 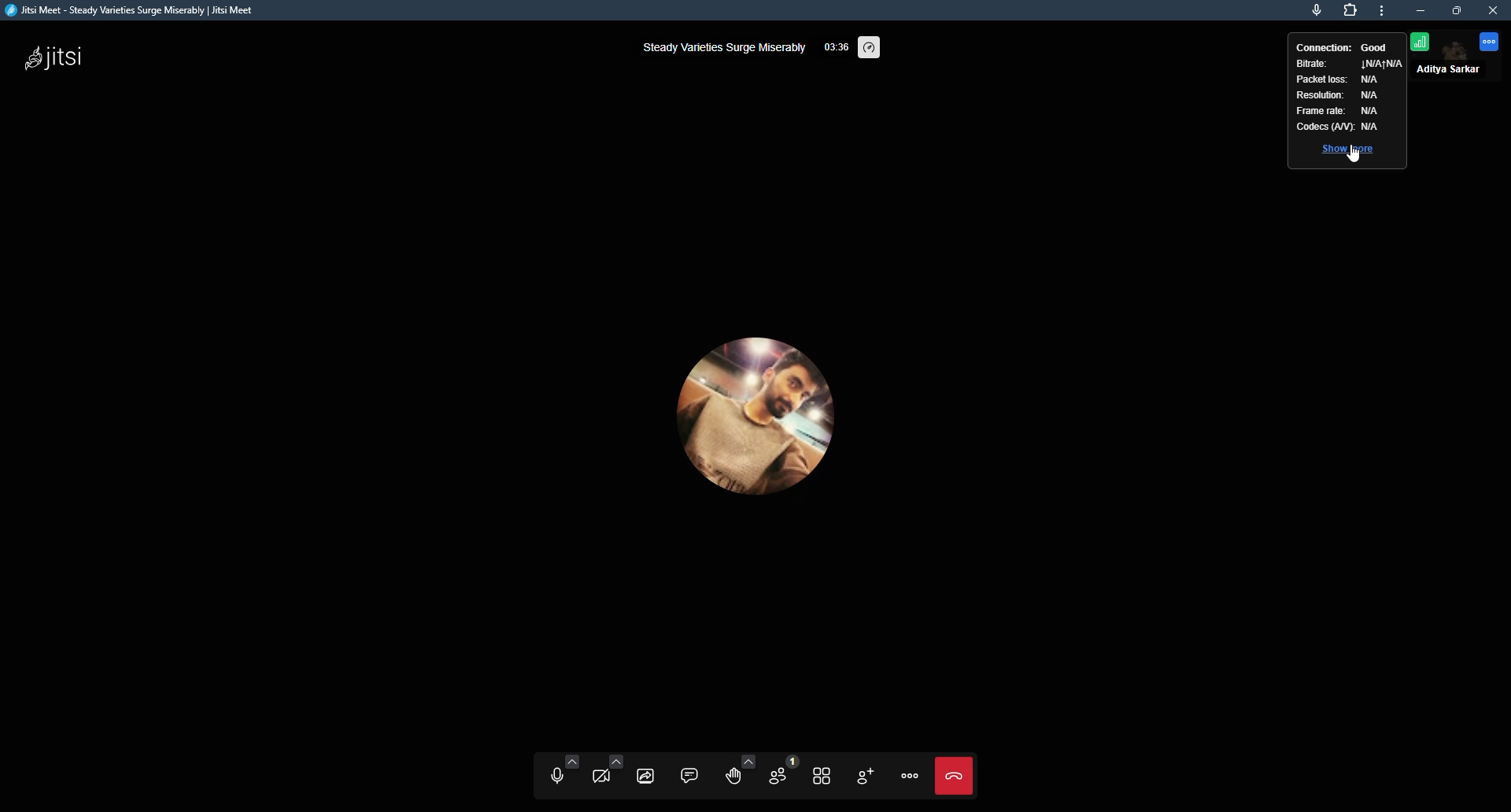 What do you see at coordinates (1368, 111) in the screenshot?
I see `na` at bounding box center [1368, 111].